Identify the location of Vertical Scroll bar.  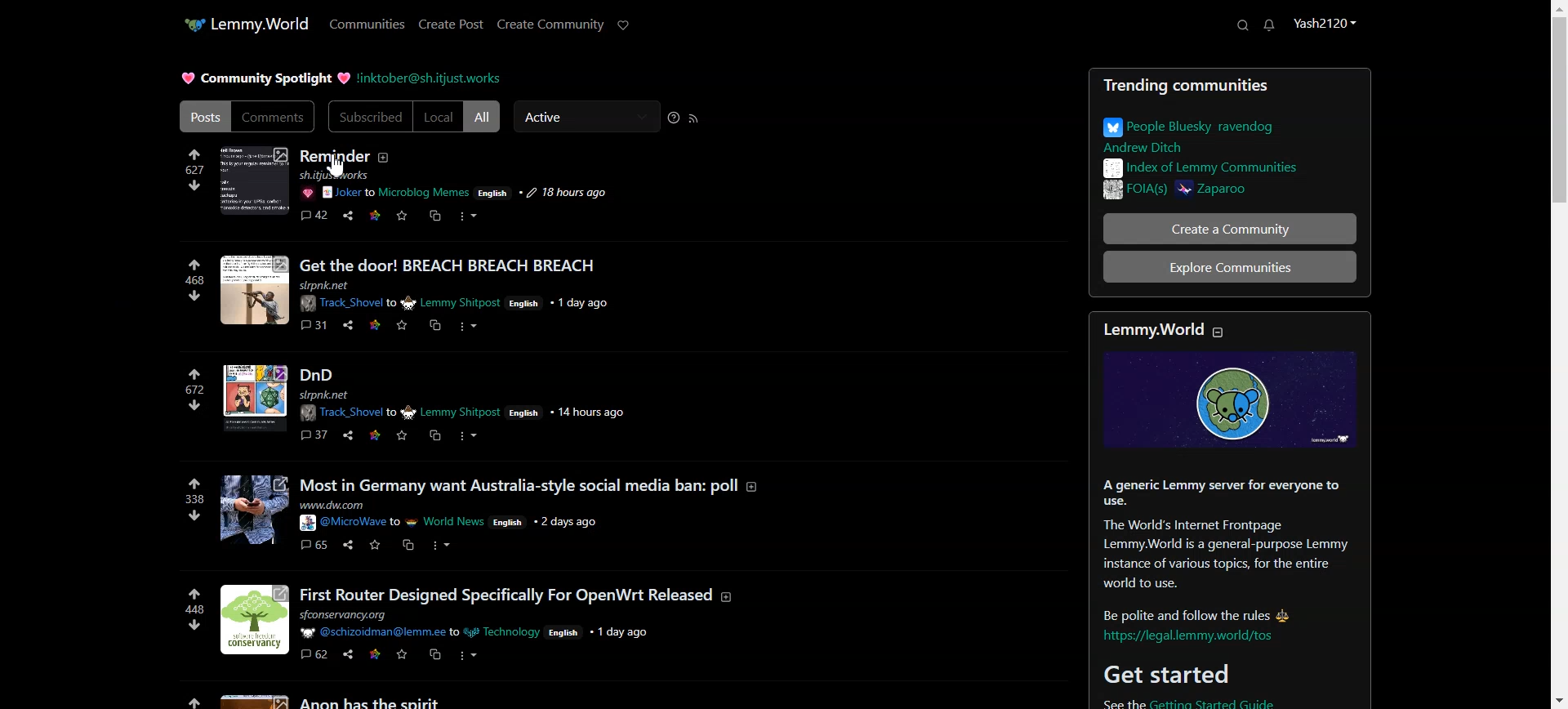
(1558, 354).